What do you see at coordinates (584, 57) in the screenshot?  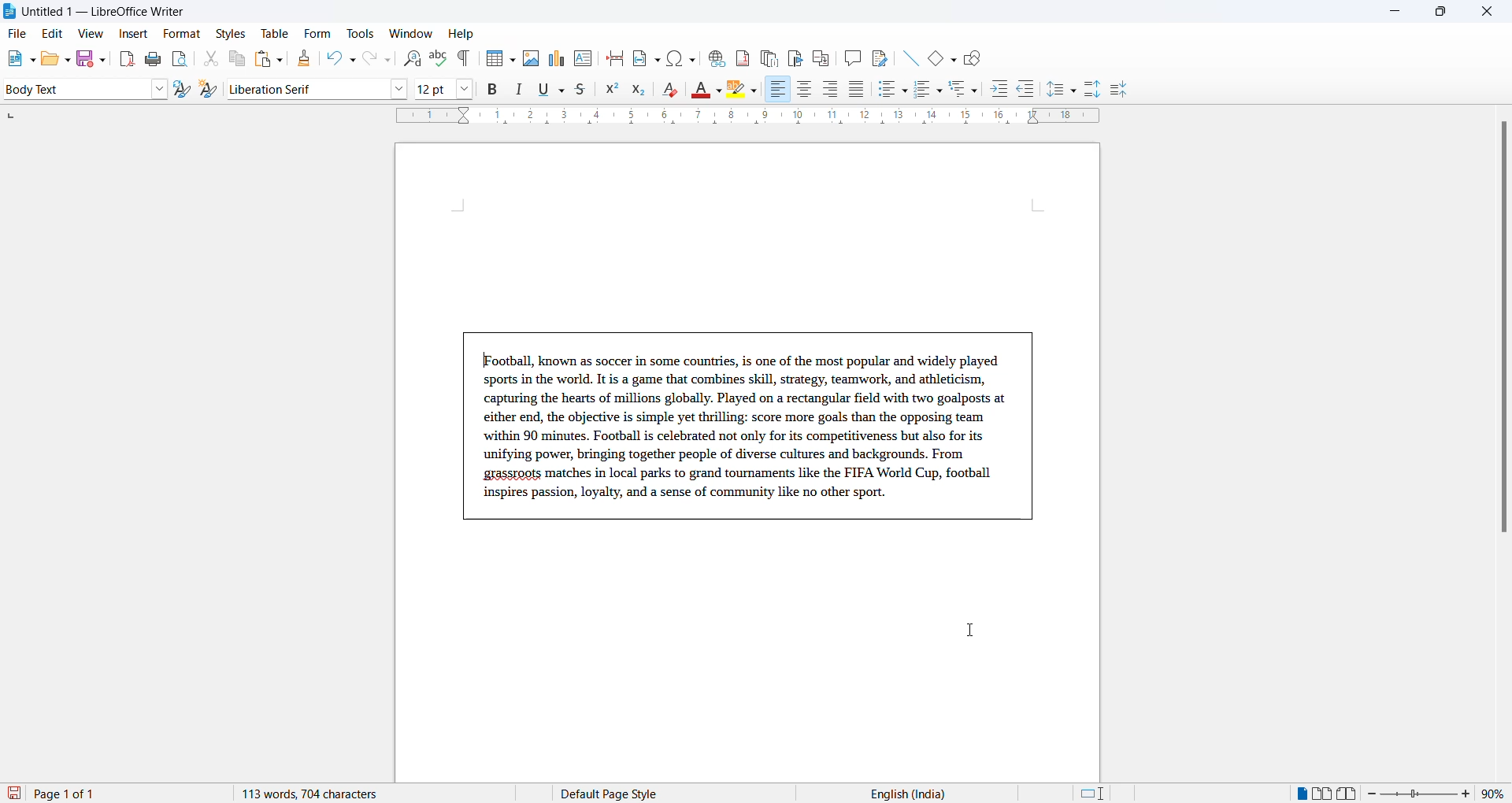 I see `insert text` at bounding box center [584, 57].